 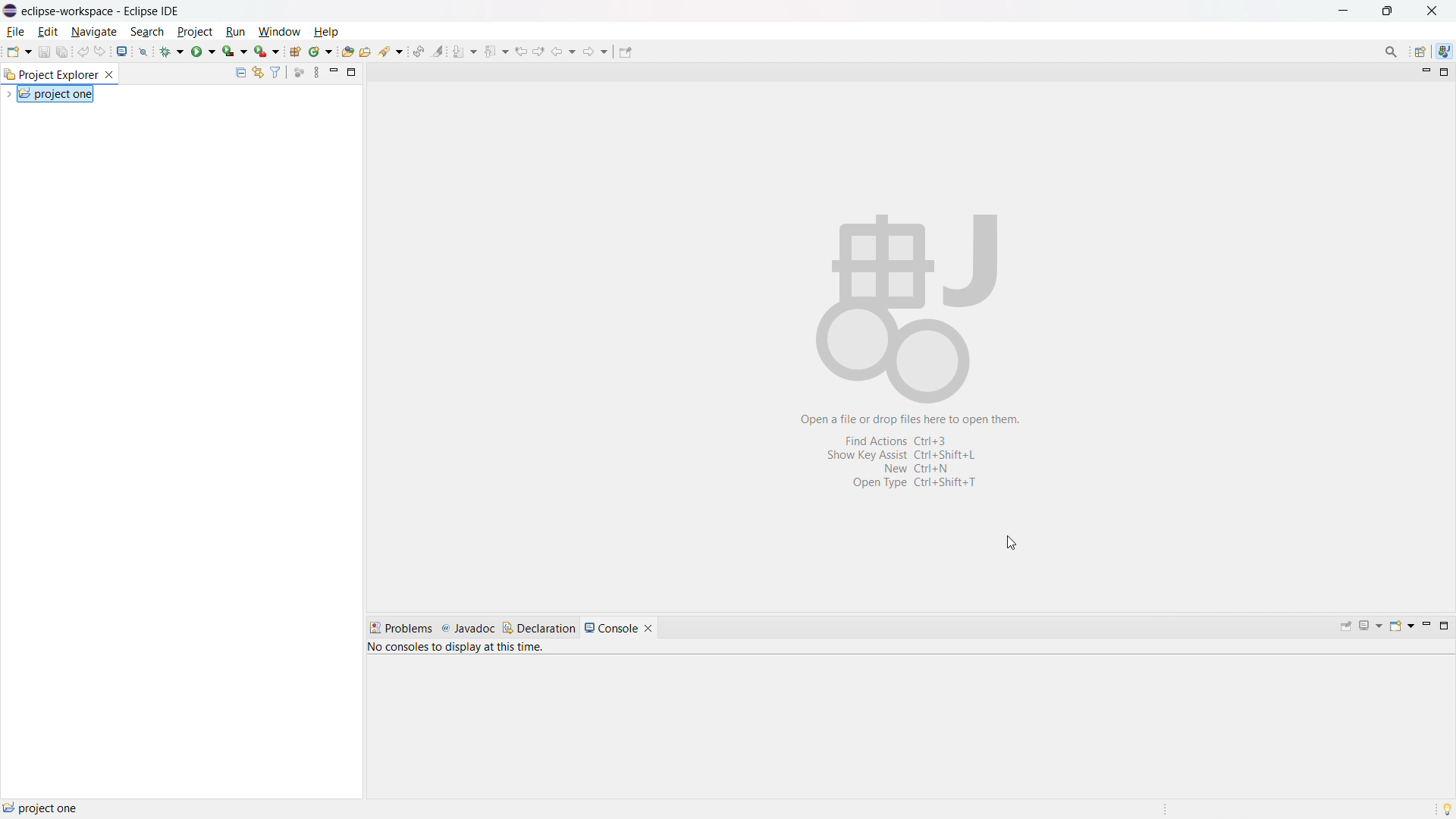 I want to click on java, so click(x=1444, y=52).